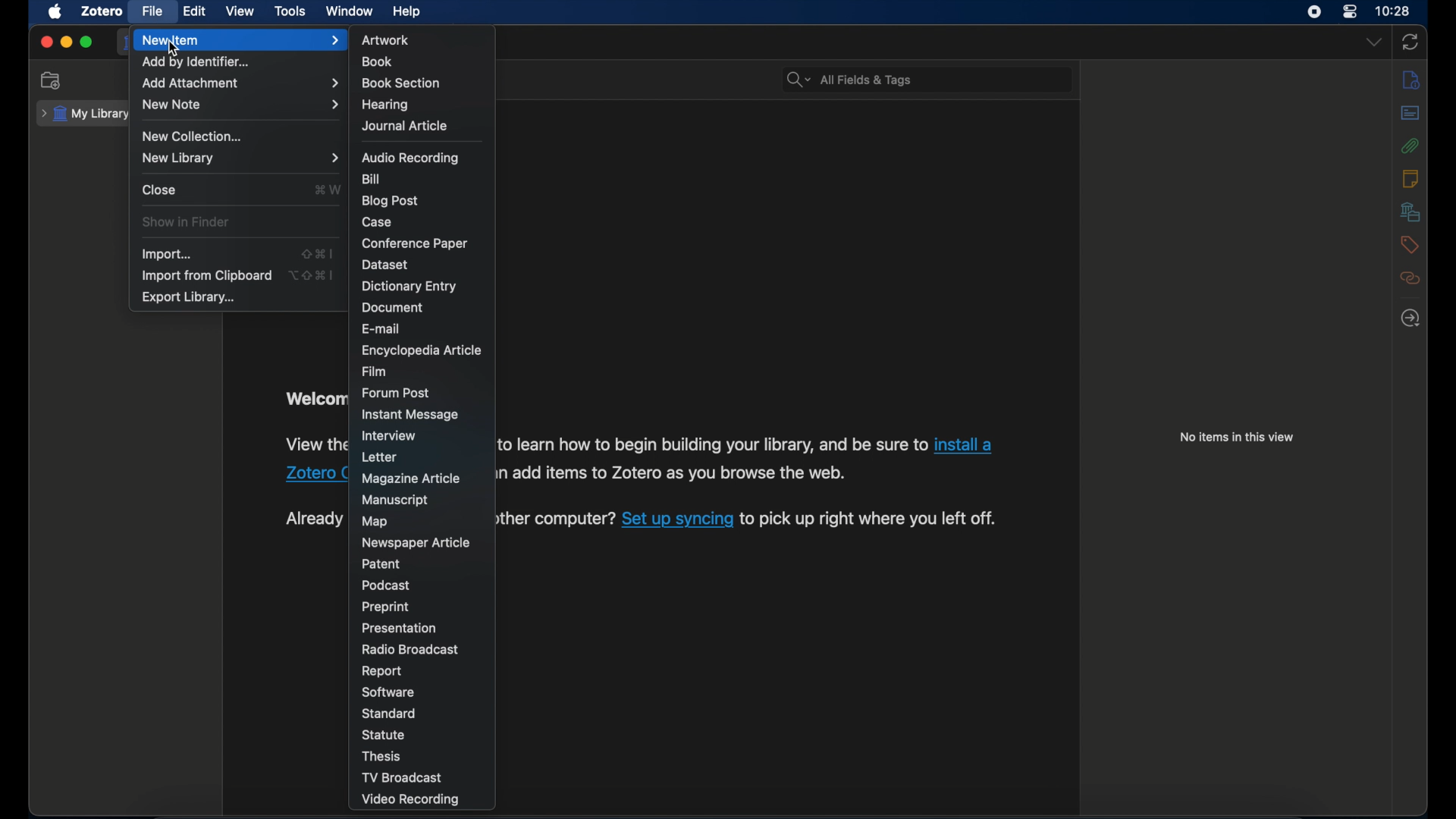 Image resolution: width=1456 pixels, height=819 pixels. I want to click on import from clipboard, so click(208, 275).